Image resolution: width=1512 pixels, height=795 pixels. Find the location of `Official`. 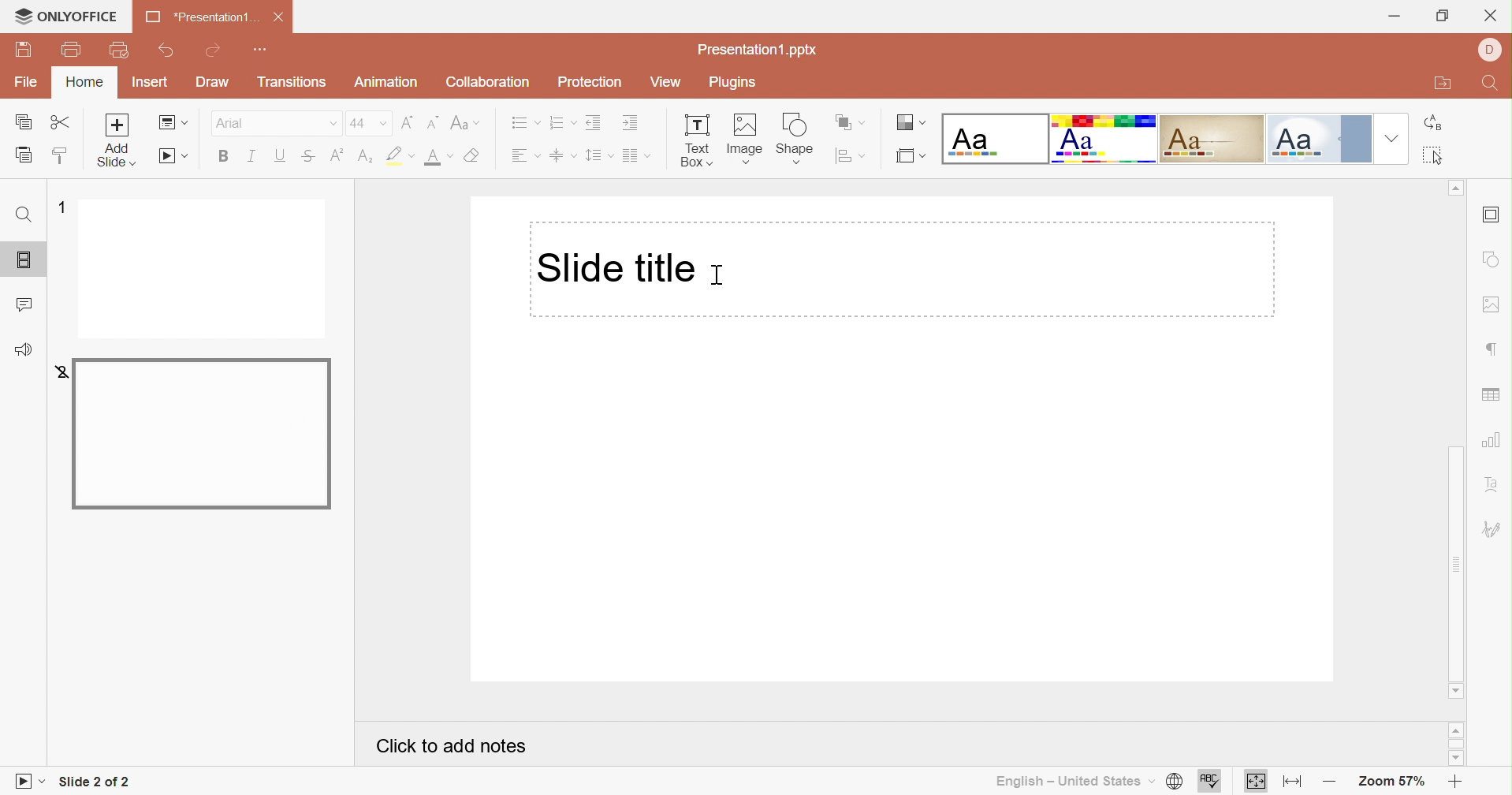

Official is located at coordinates (1321, 140).